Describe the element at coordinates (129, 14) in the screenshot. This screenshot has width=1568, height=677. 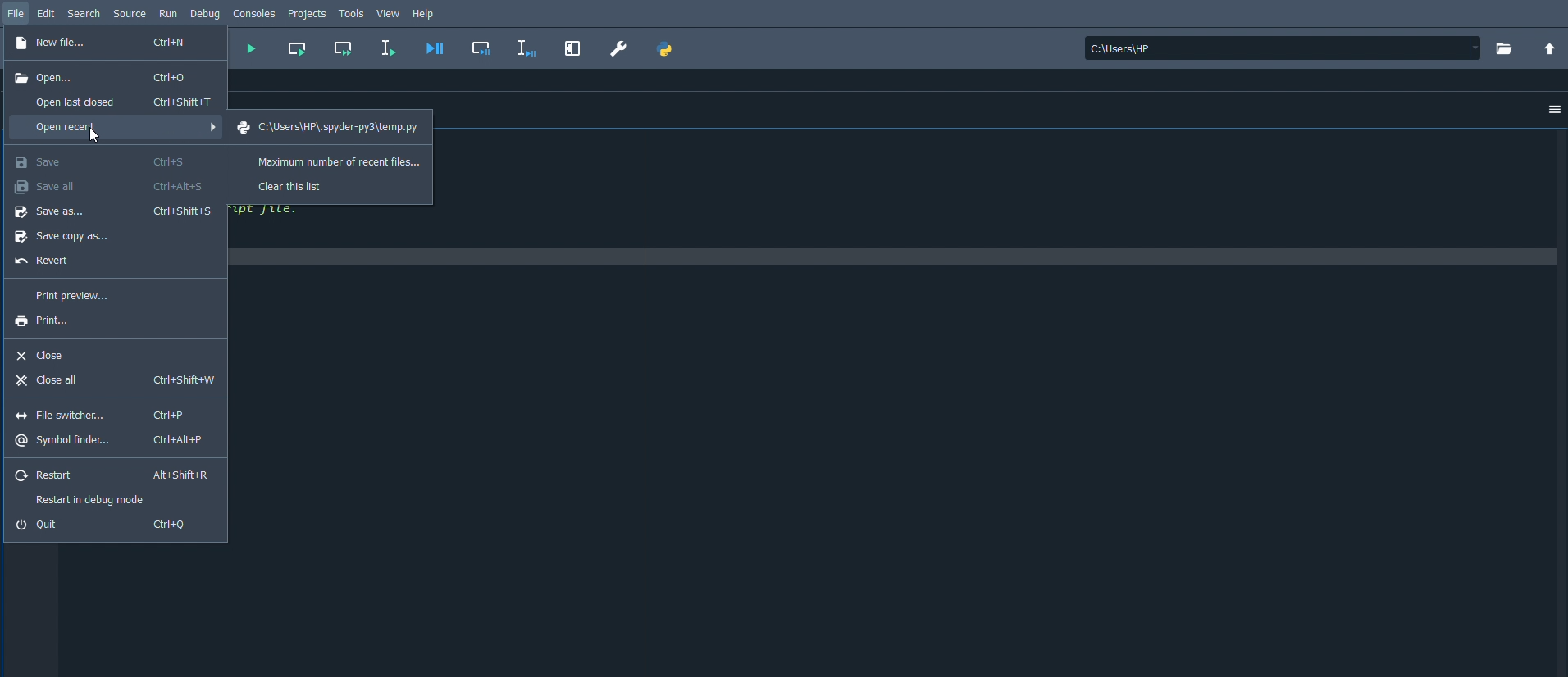
I see `Source` at that location.